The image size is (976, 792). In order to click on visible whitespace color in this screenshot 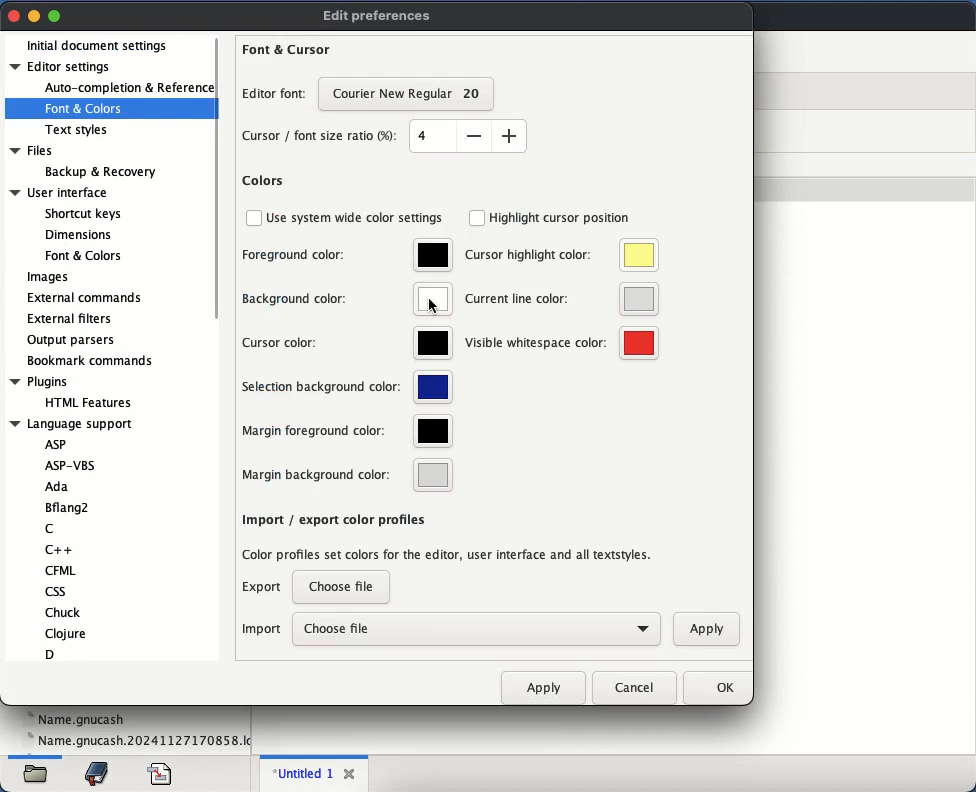, I will do `click(563, 344)`.